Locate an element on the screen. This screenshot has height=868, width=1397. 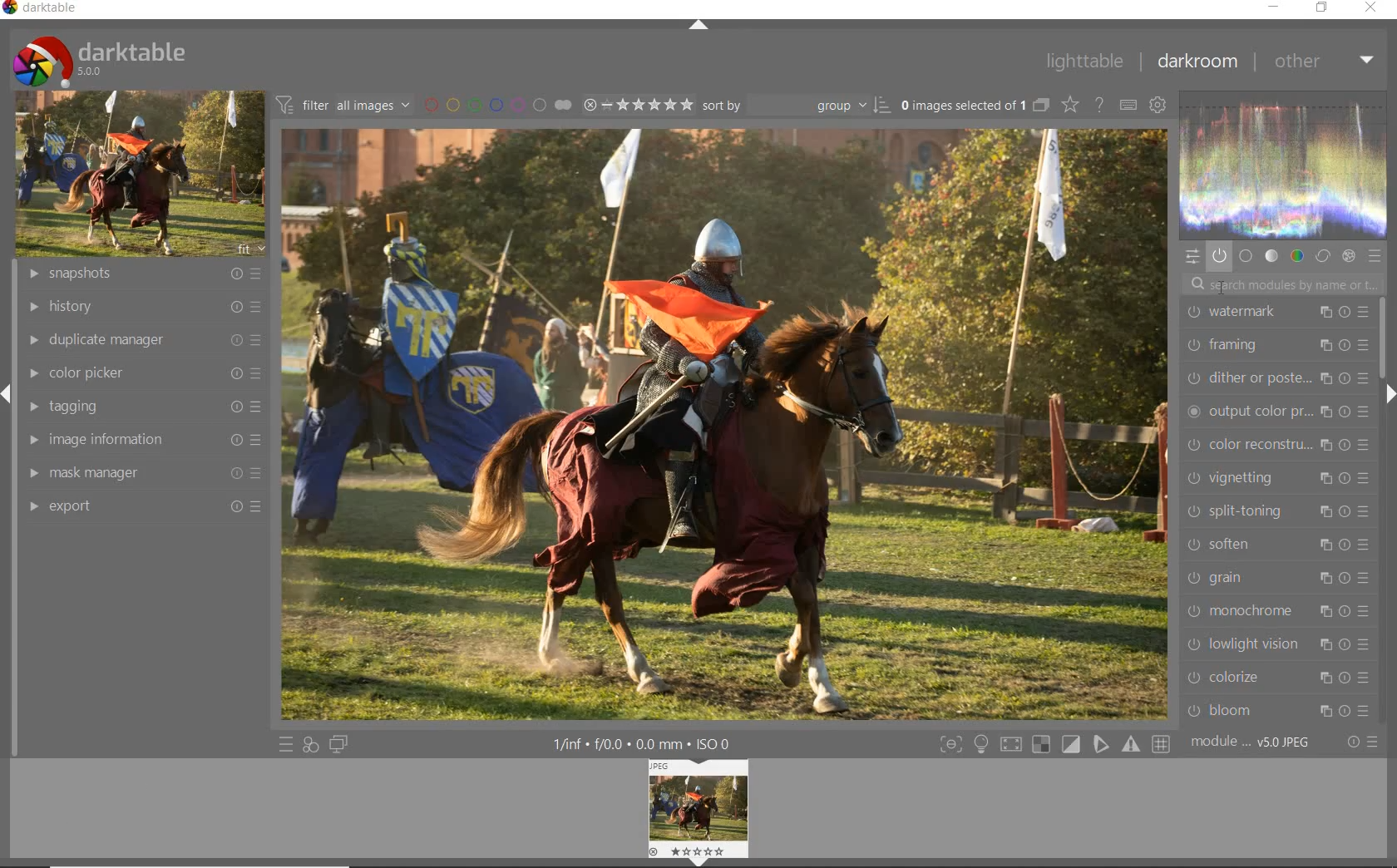
grain is located at coordinates (1276, 579).